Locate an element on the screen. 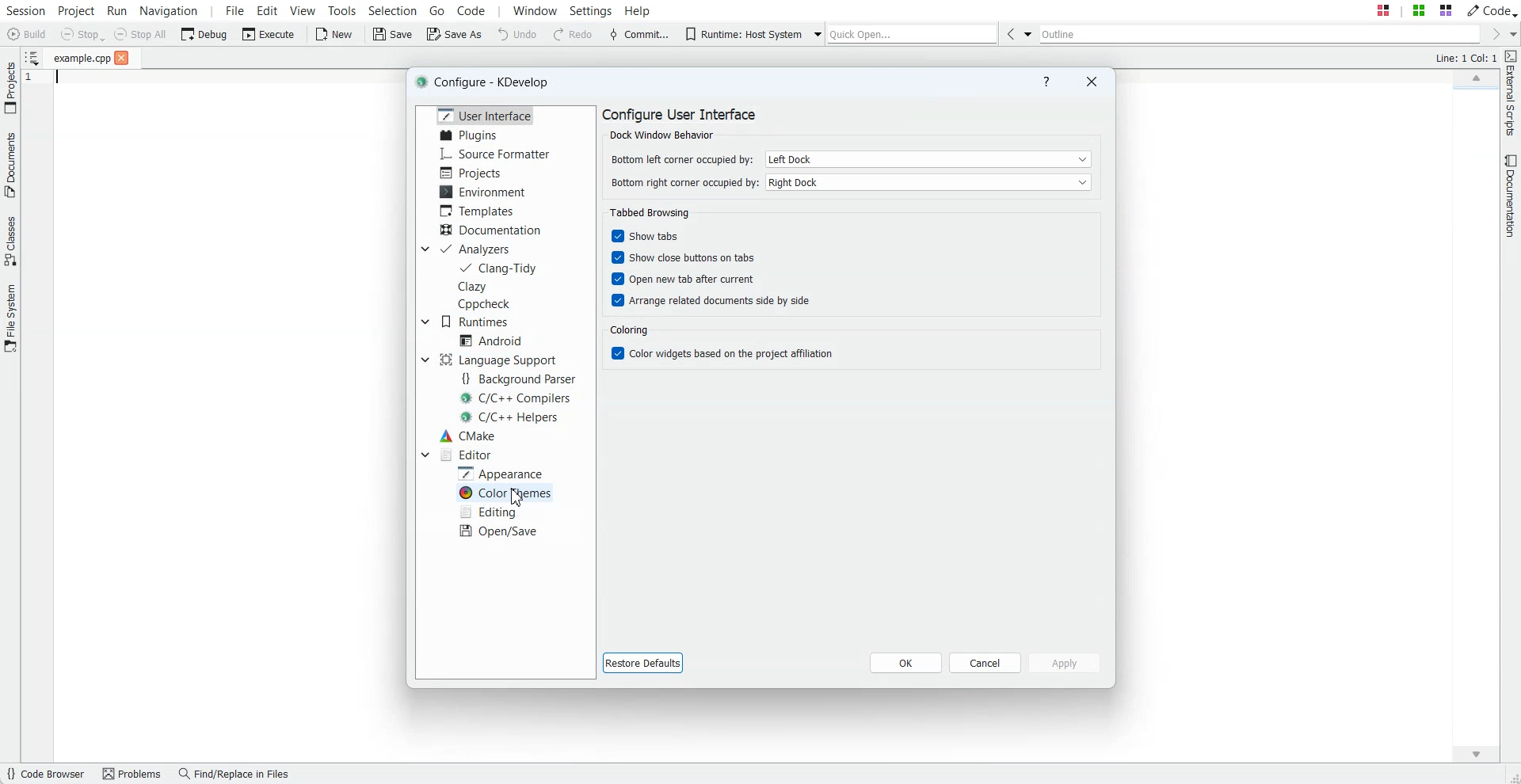 This screenshot has height=784, width=1521. Enable Open new tab after current is located at coordinates (680, 280).